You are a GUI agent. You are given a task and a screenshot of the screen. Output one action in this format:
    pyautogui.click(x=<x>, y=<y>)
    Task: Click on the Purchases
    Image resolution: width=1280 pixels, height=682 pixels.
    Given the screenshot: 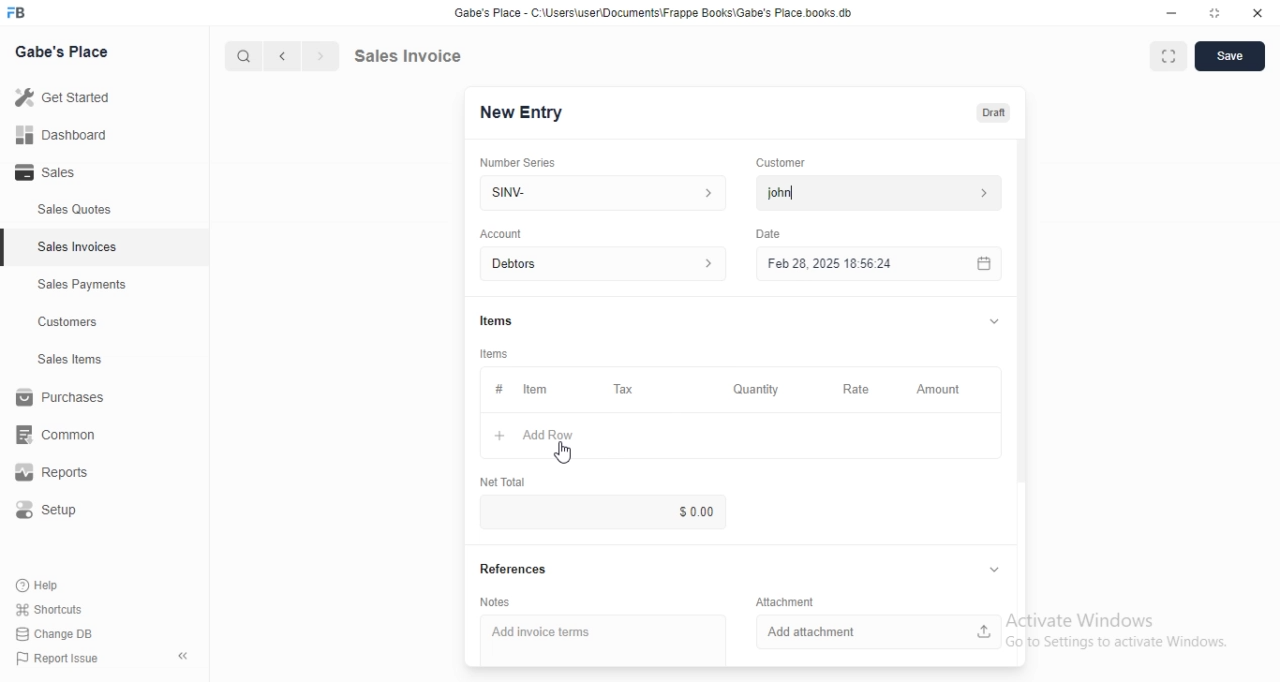 What is the action you would take?
    pyautogui.click(x=64, y=400)
    